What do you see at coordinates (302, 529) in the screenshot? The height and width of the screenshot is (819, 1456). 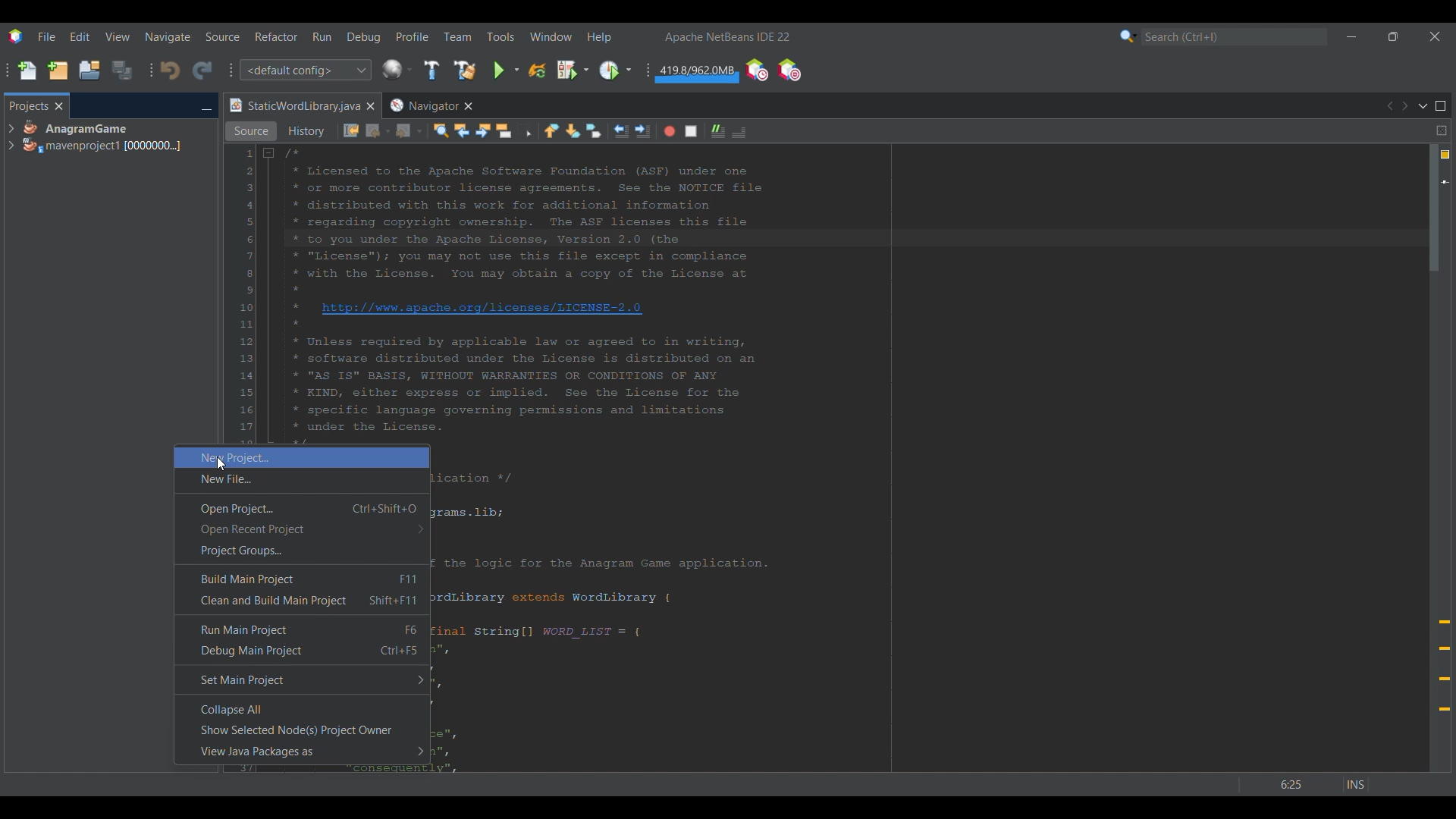 I see `Open recent project options` at bounding box center [302, 529].